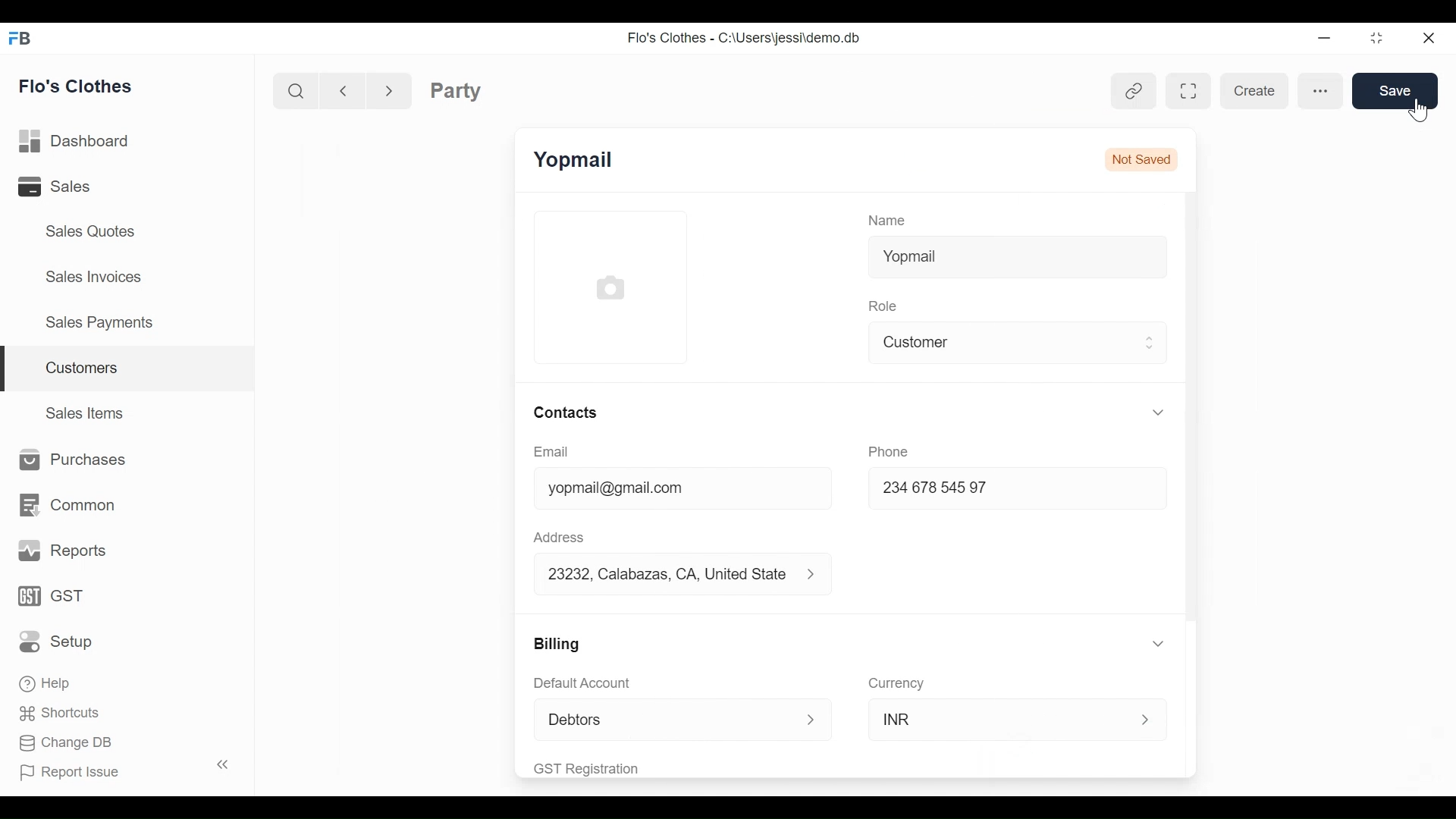 The image size is (1456, 819). I want to click on Expand, so click(1147, 715).